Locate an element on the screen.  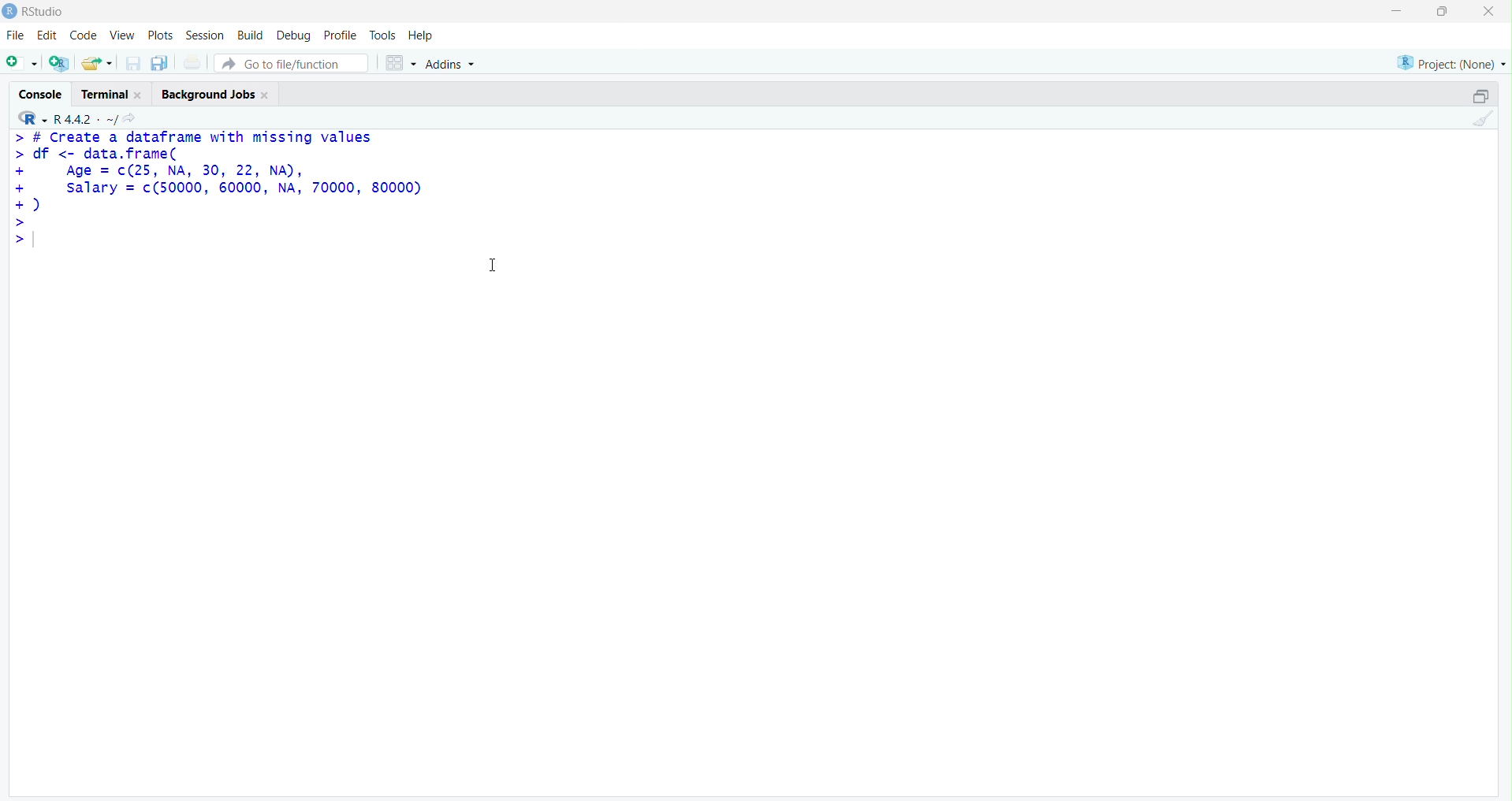
Tools is located at coordinates (384, 35).